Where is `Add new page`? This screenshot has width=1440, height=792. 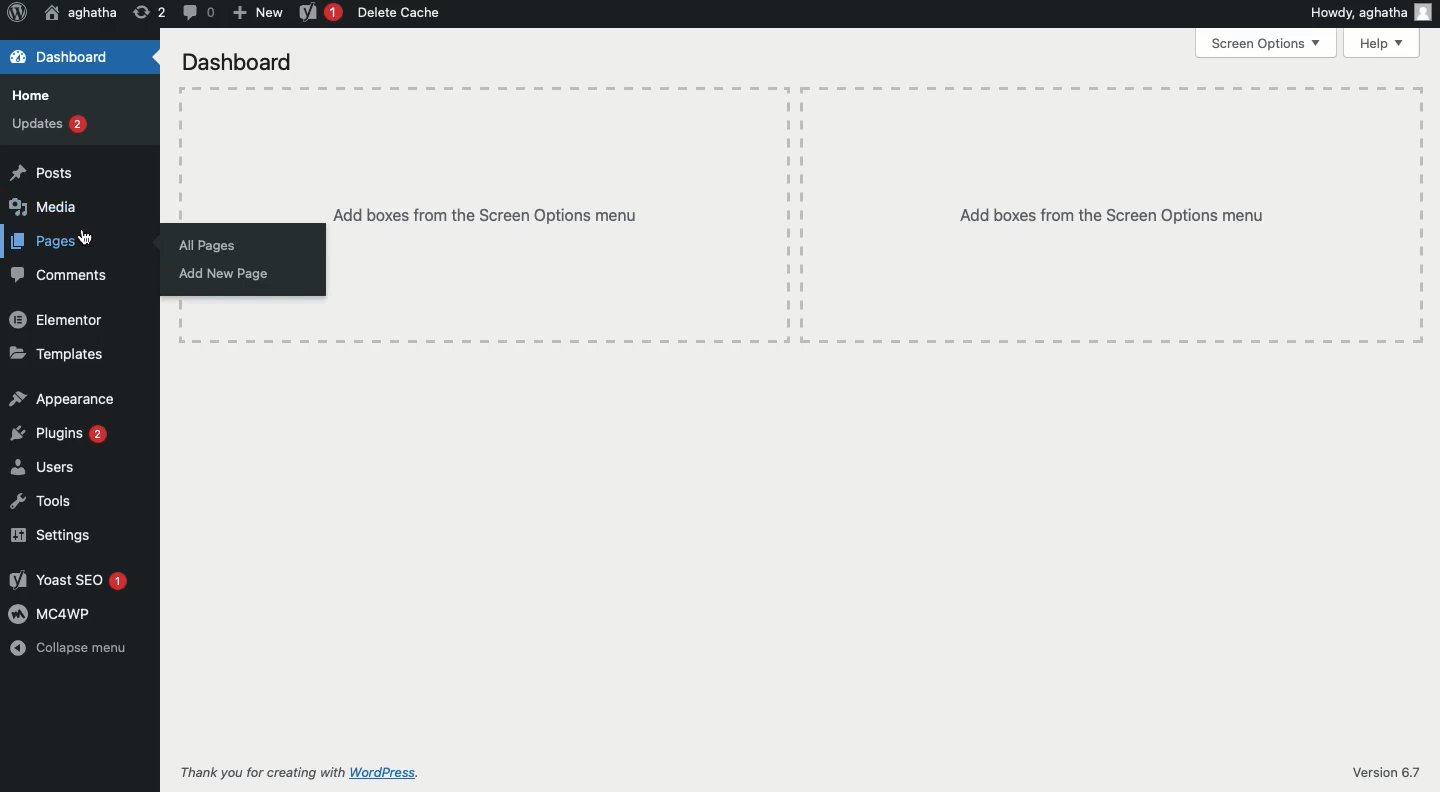
Add new page is located at coordinates (224, 275).